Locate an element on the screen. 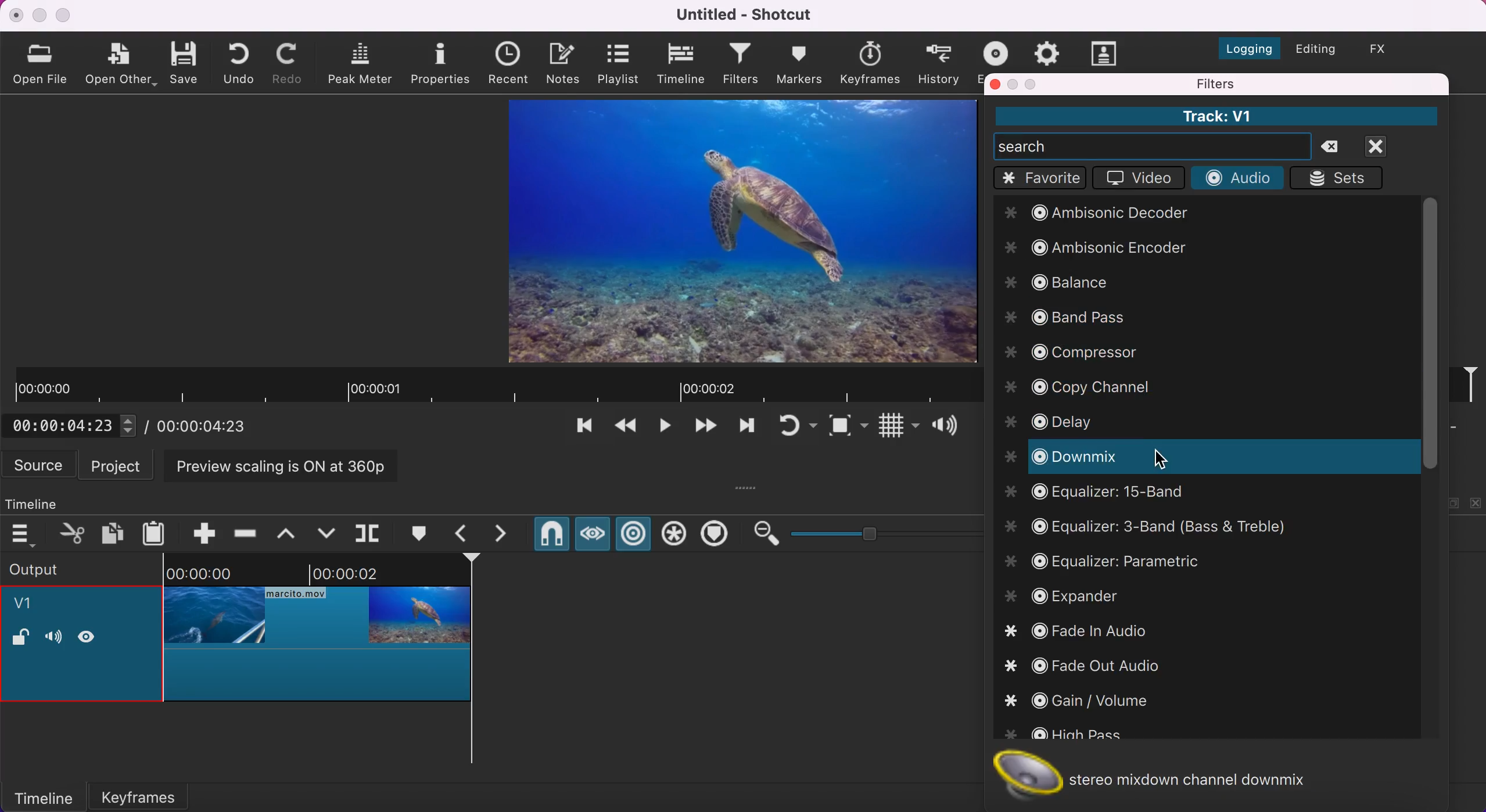 The width and height of the screenshot is (1486, 812). maximize is located at coordinates (1033, 84).